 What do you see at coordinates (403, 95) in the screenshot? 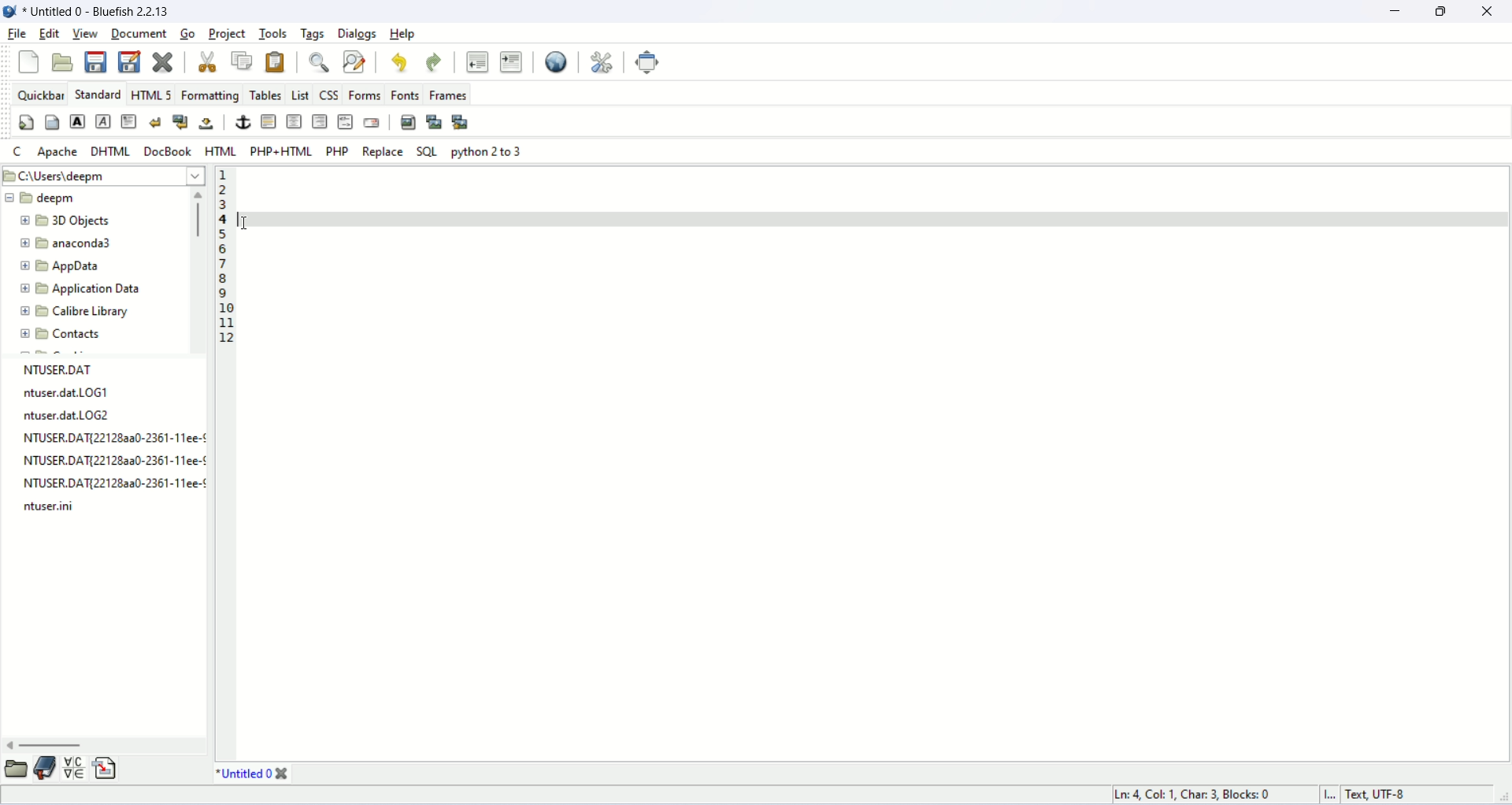
I see `fonts` at bounding box center [403, 95].